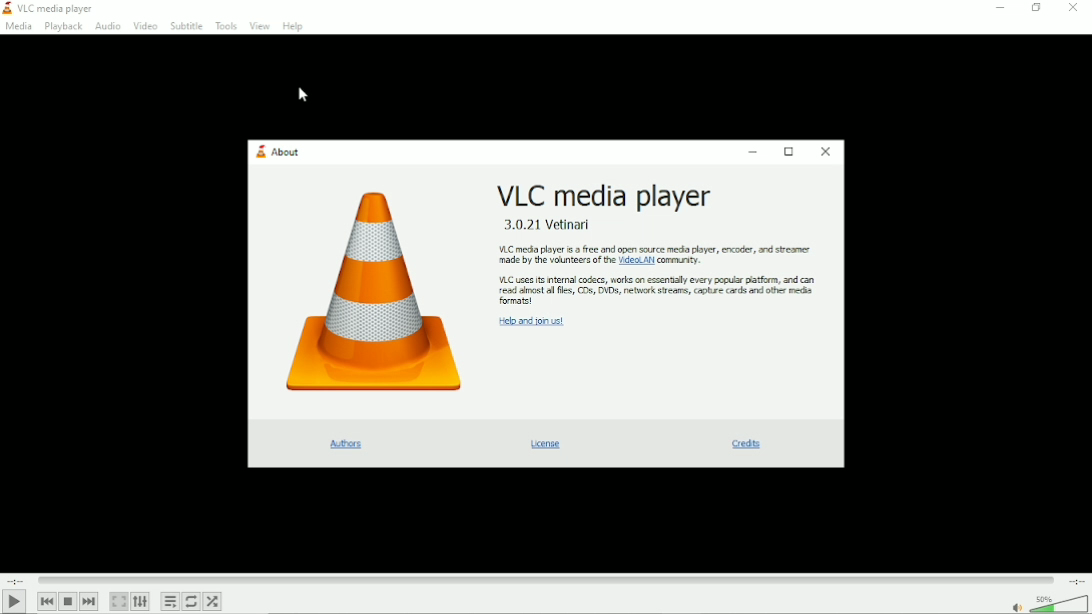 The height and width of the screenshot is (614, 1092). Describe the element at coordinates (547, 224) in the screenshot. I see `3.0.21 Version` at that location.